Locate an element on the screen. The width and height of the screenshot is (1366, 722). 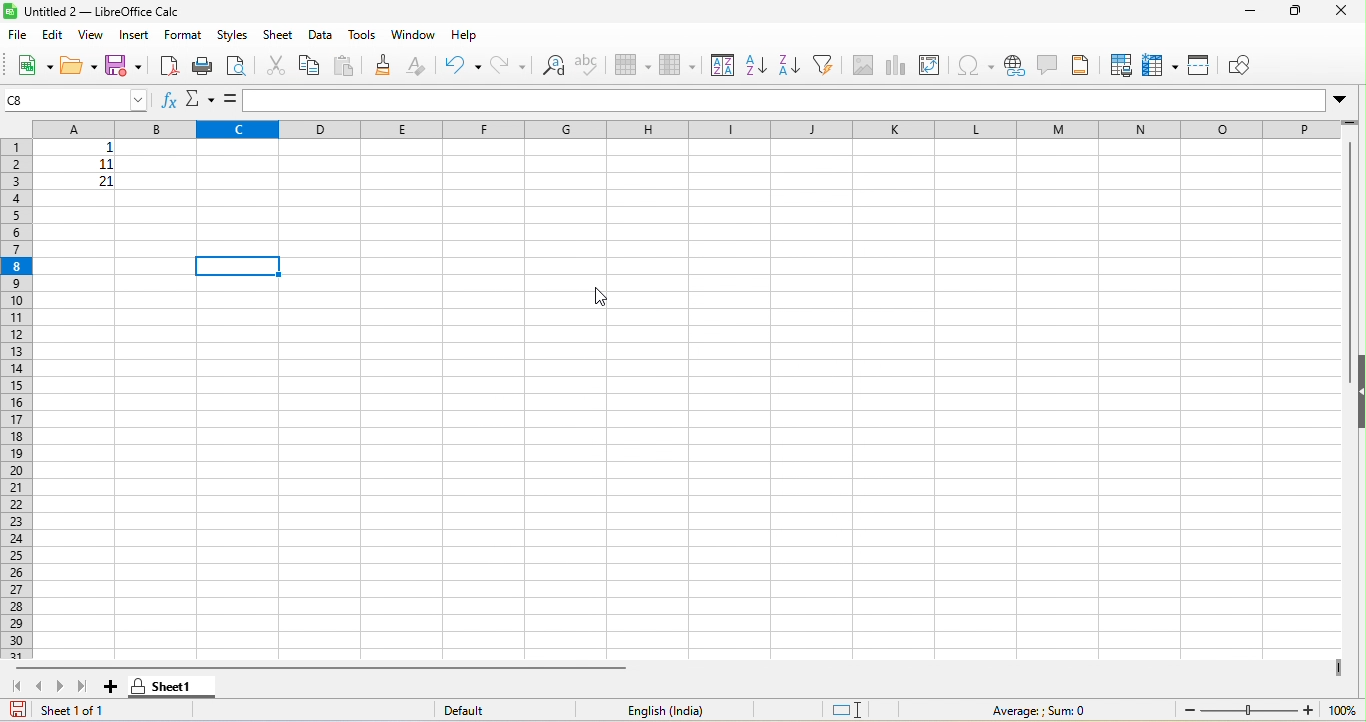
column headings is located at coordinates (676, 129).